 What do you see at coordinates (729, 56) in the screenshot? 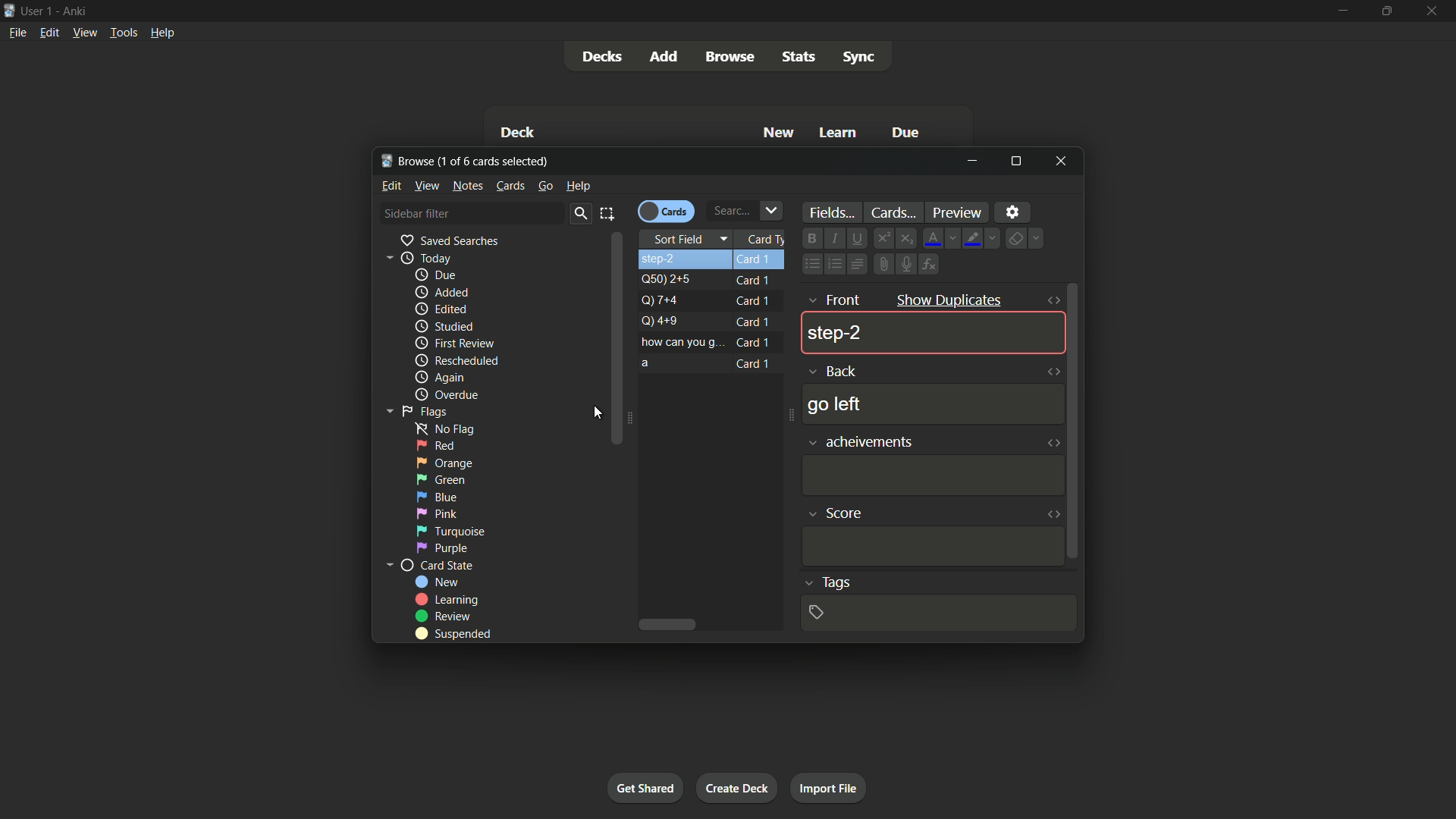
I see `Browse` at bounding box center [729, 56].